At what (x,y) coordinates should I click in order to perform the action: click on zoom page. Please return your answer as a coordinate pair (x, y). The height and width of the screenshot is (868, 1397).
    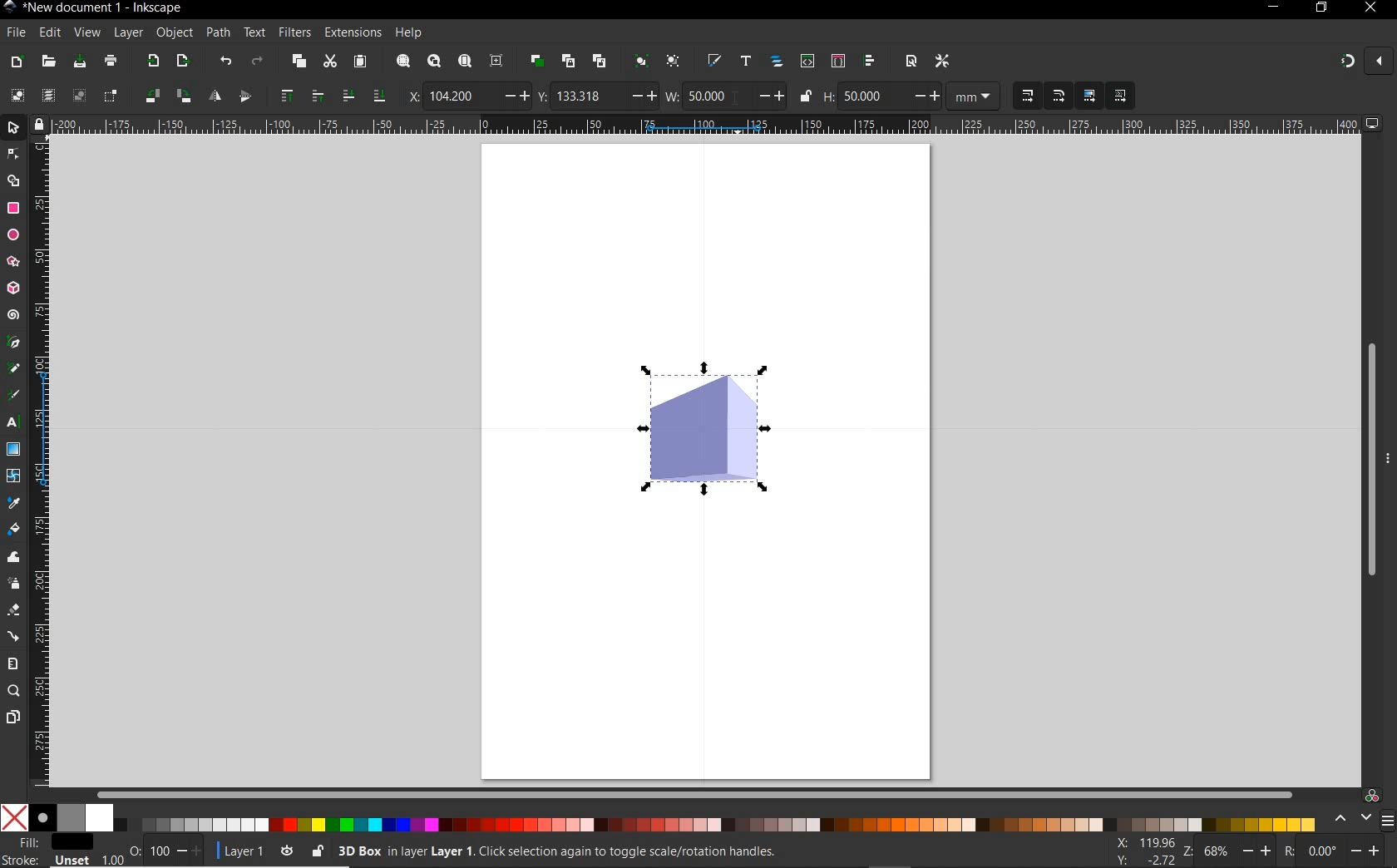
    Looking at the image, I should click on (464, 60).